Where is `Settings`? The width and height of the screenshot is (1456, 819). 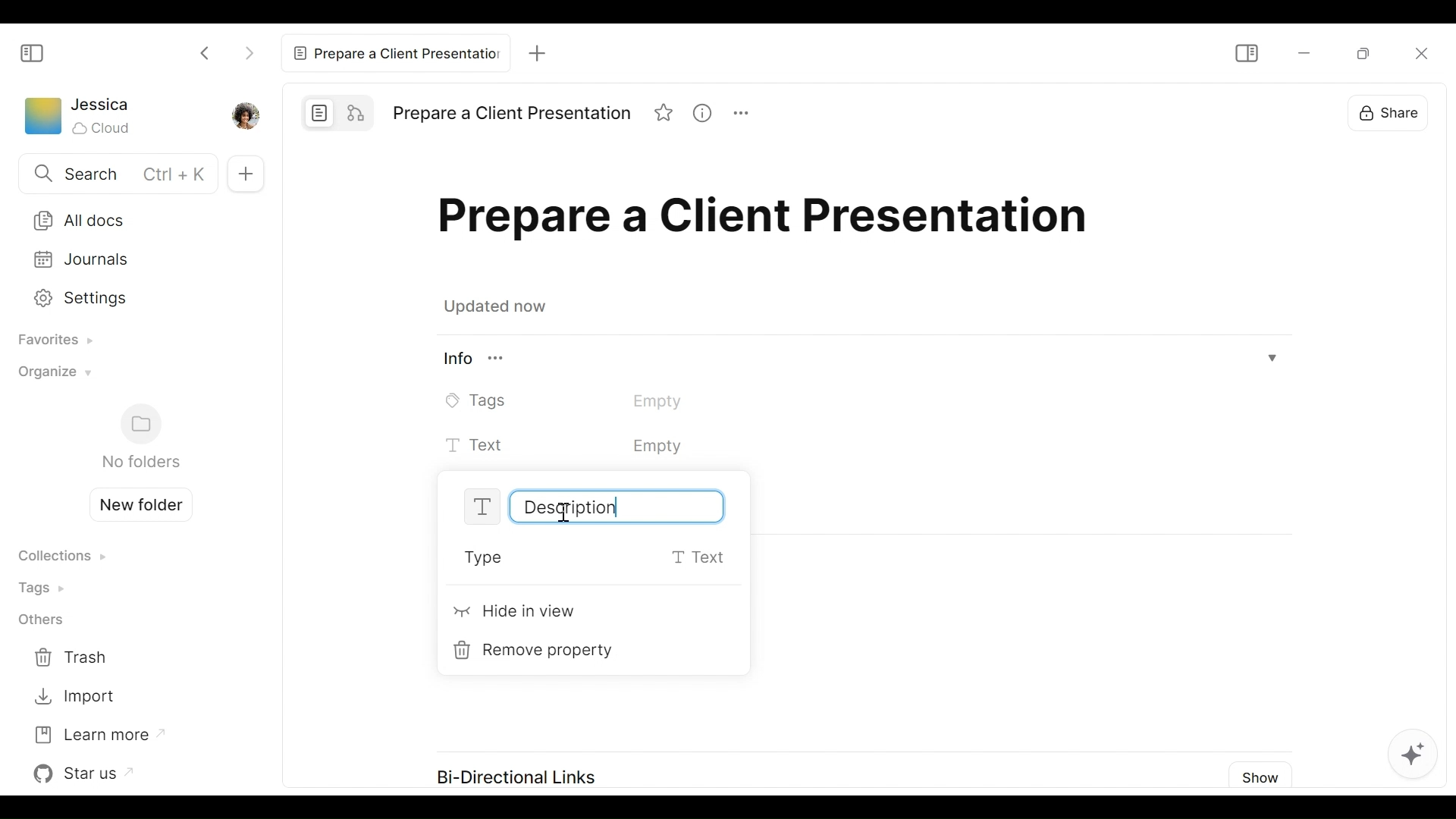 Settings is located at coordinates (127, 296).